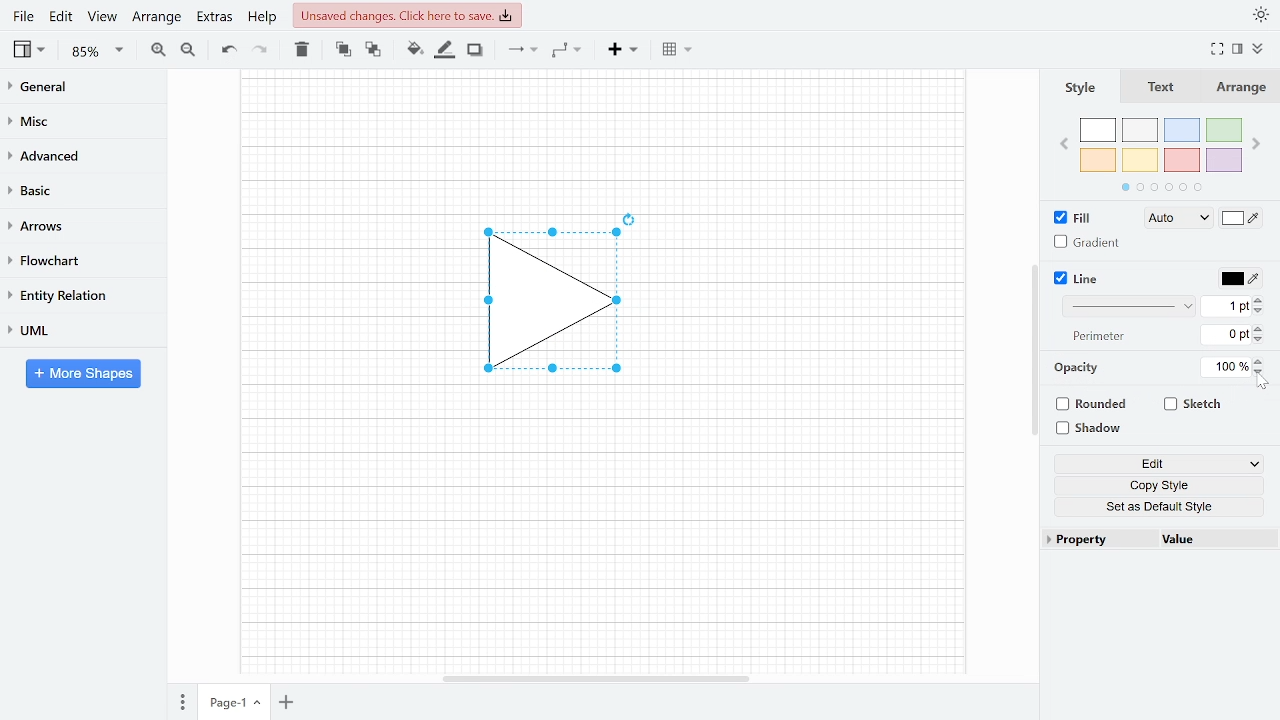 This screenshot has width=1280, height=720. What do you see at coordinates (156, 16) in the screenshot?
I see `Arrange` at bounding box center [156, 16].